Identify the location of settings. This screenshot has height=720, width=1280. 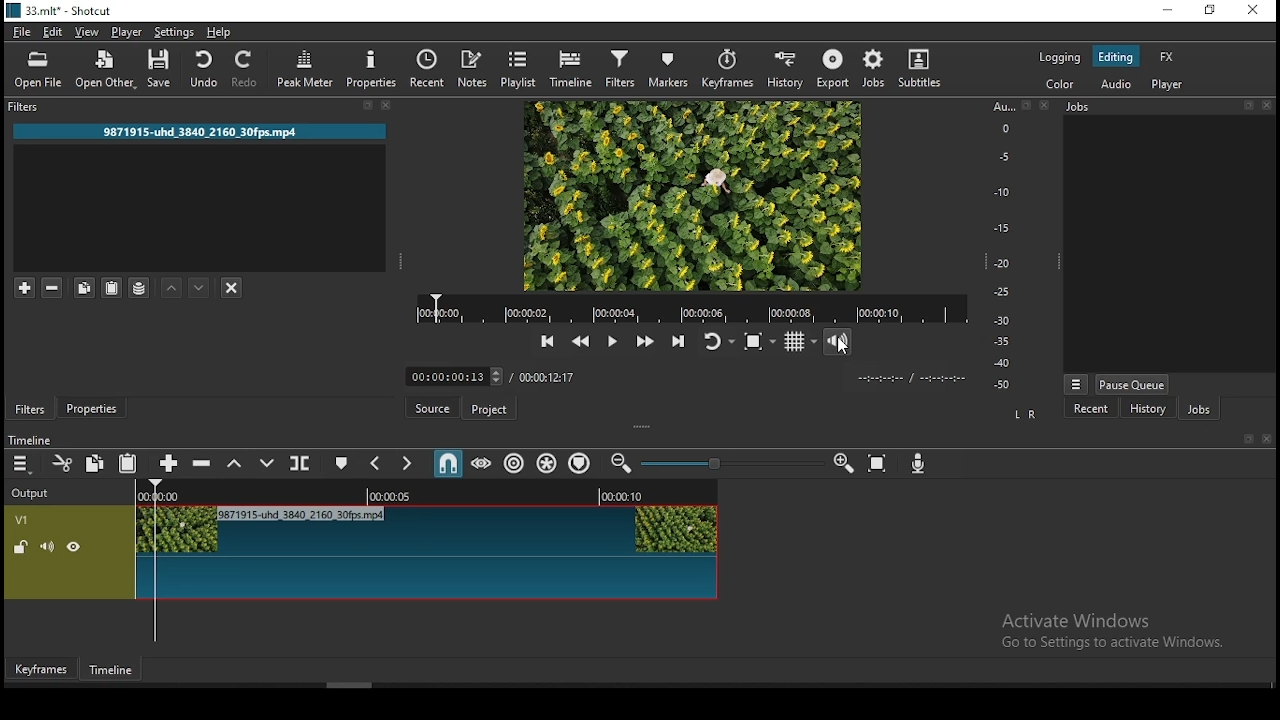
(172, 32).